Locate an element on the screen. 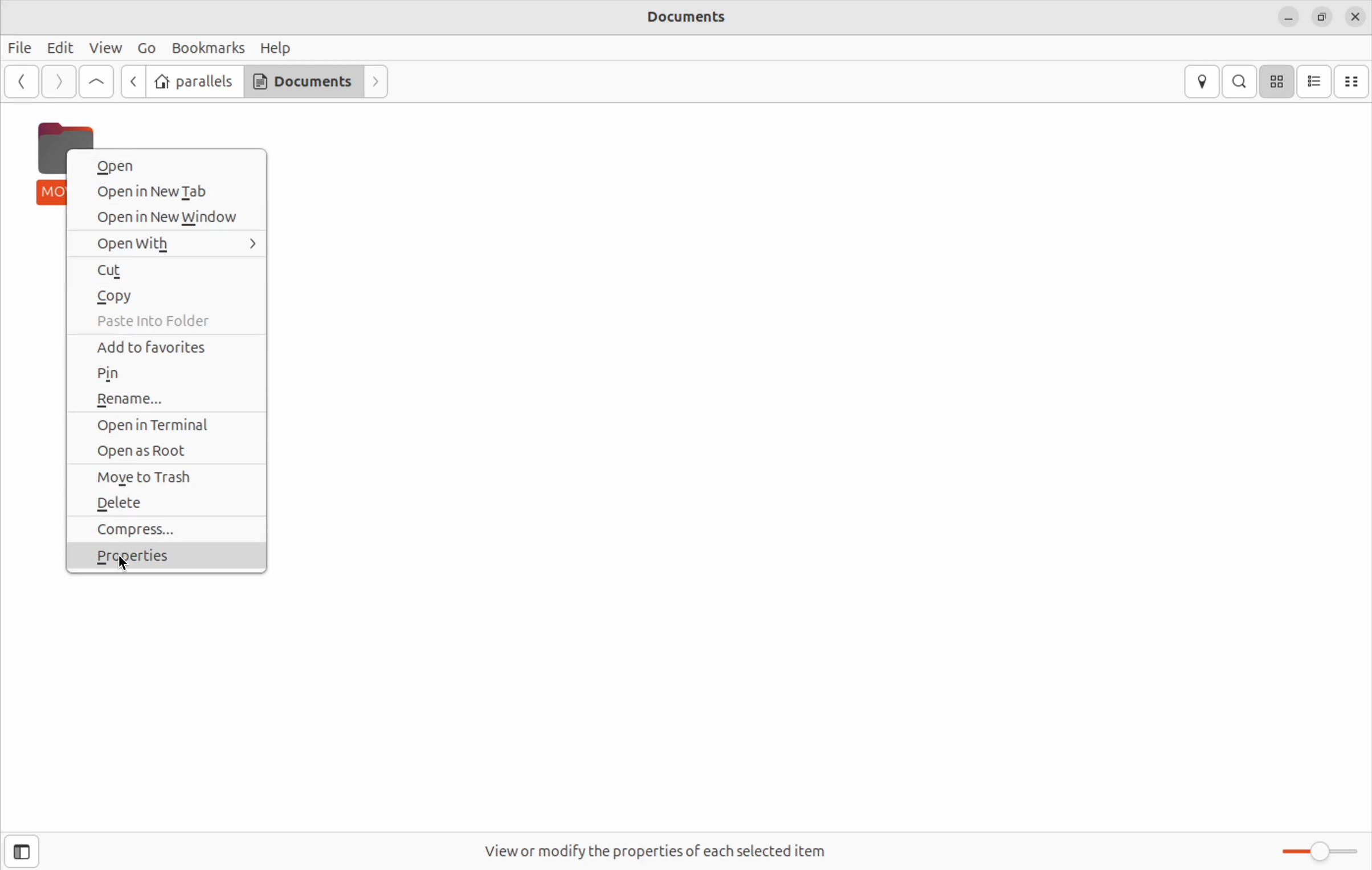  Add to favorites is located at coordinates (168, 348).